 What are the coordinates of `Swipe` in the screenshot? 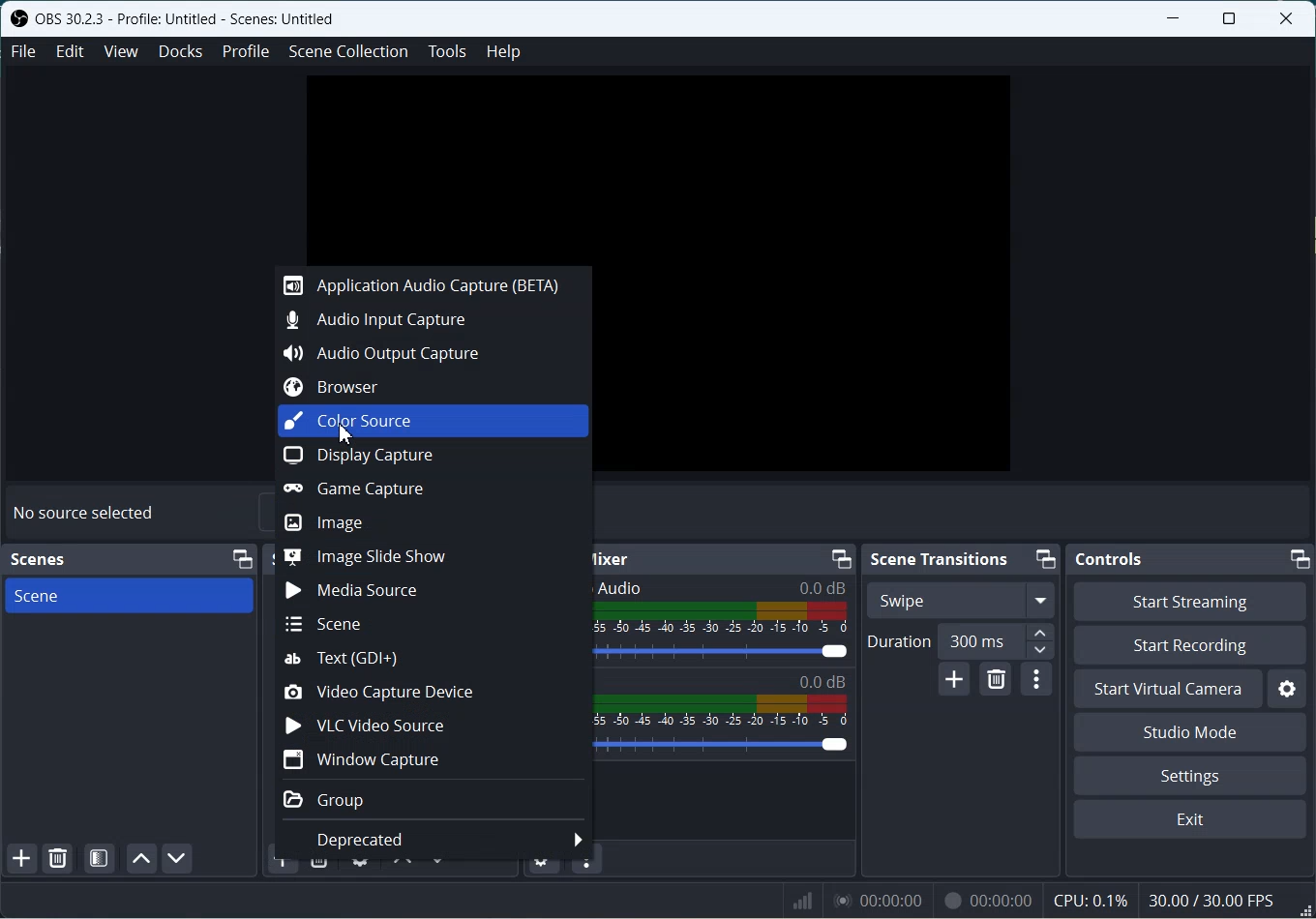 It's located at (960, 600).